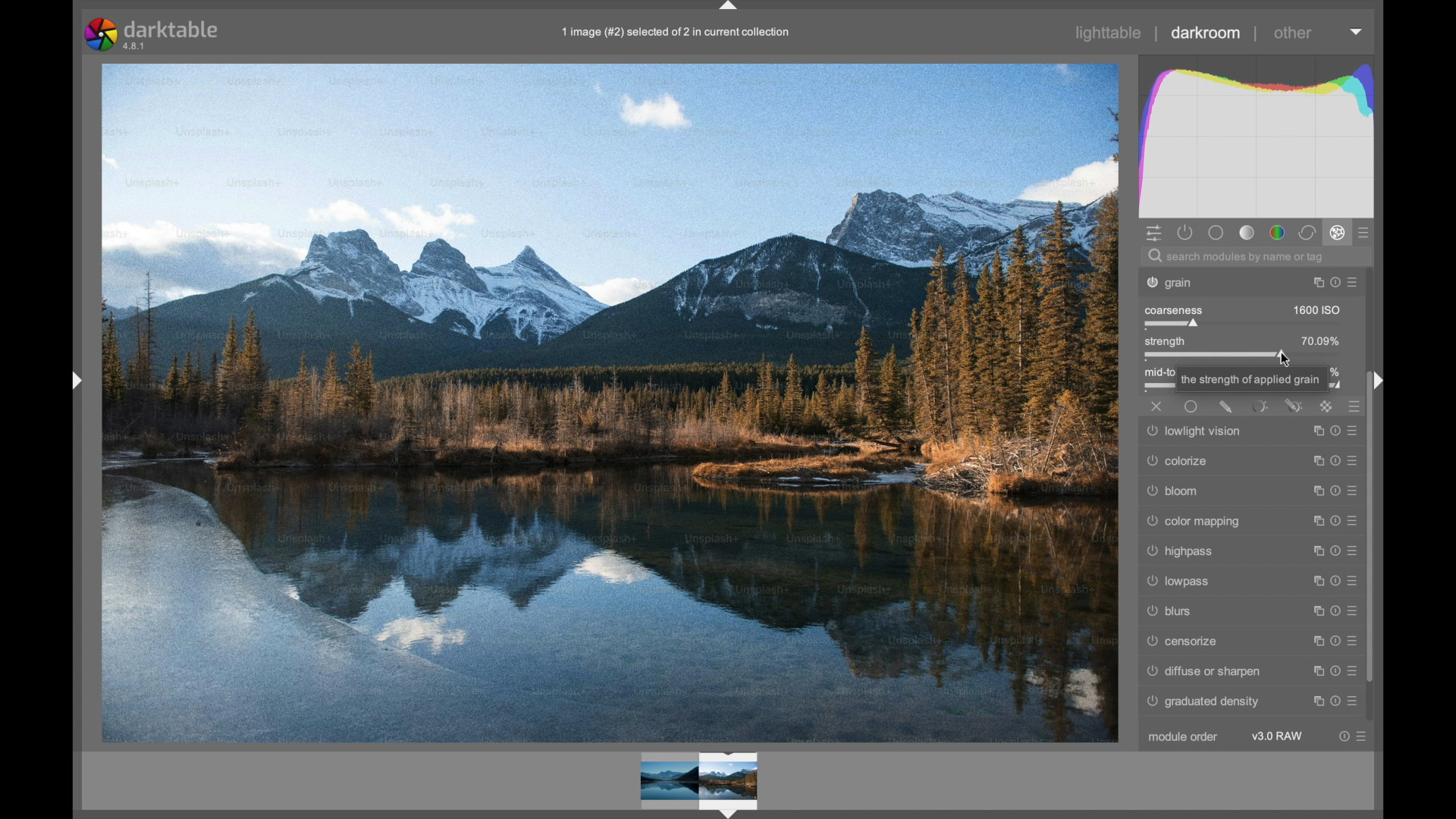 This screenshot has height=819, width=1456. What do you see at coordinates (1332, 522) in the screenshot?
I see `reset parameters` at bounding box center [1332, 522].